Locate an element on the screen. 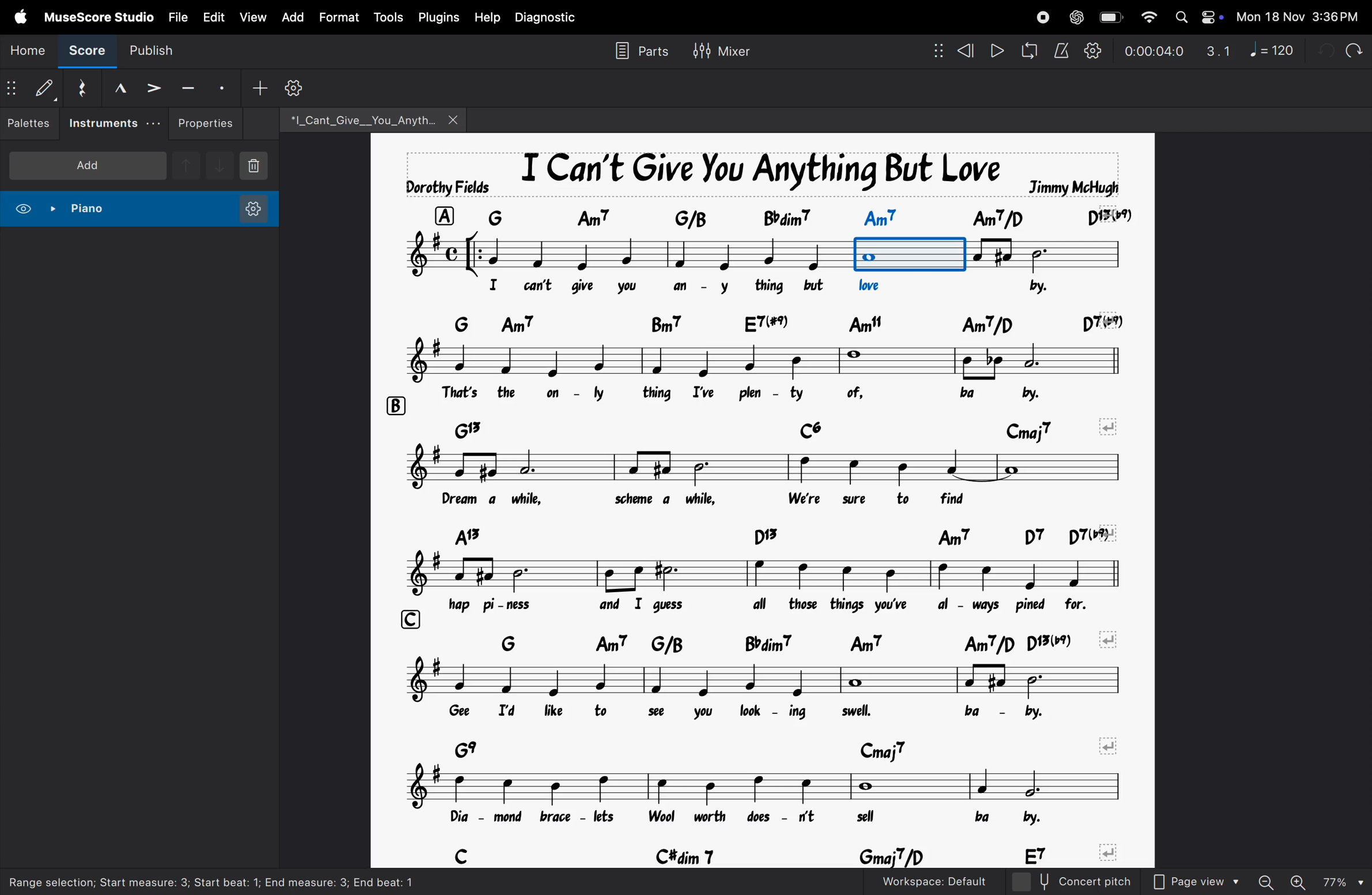 Image resolution: width=1372 pixels, height=895 pixels. notes is located at coordinates (1054, 253).